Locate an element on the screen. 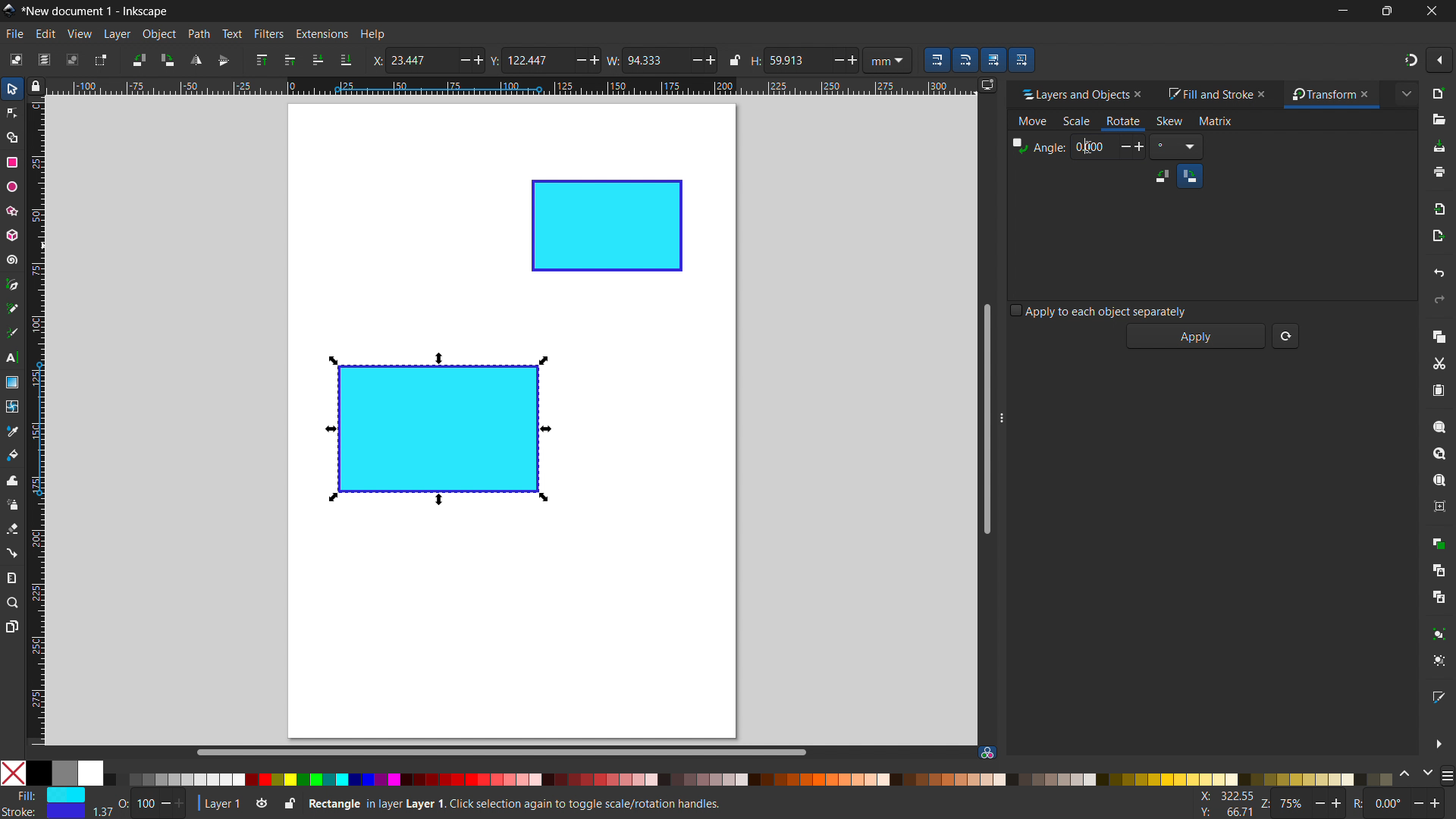  Text Cursor is located at coordinates (1090, 145).